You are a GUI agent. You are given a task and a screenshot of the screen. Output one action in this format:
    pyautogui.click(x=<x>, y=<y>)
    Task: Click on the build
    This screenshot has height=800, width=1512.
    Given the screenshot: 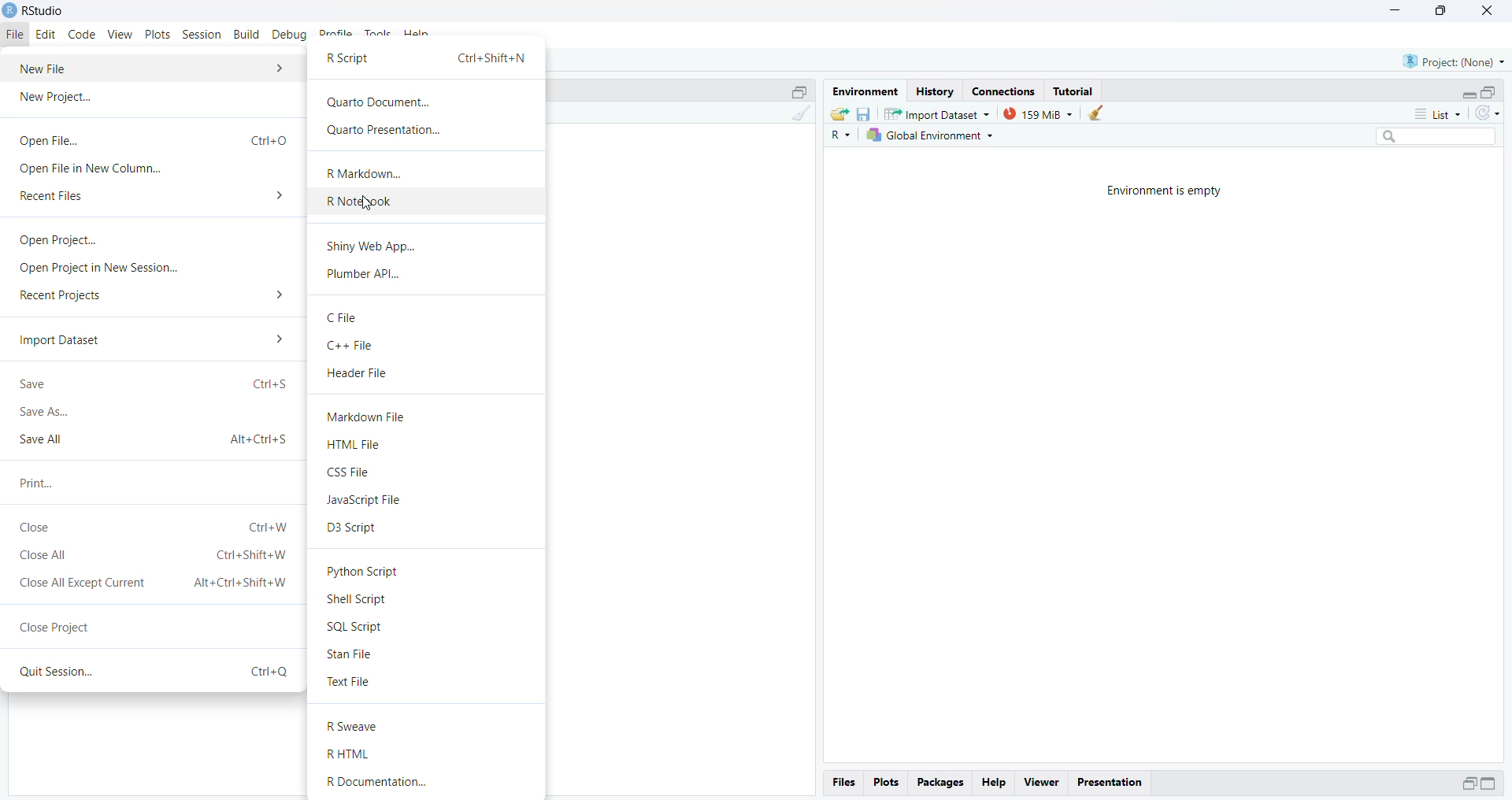 What is the action you would take?
    pyautogui.click(x=248, y=35)
    